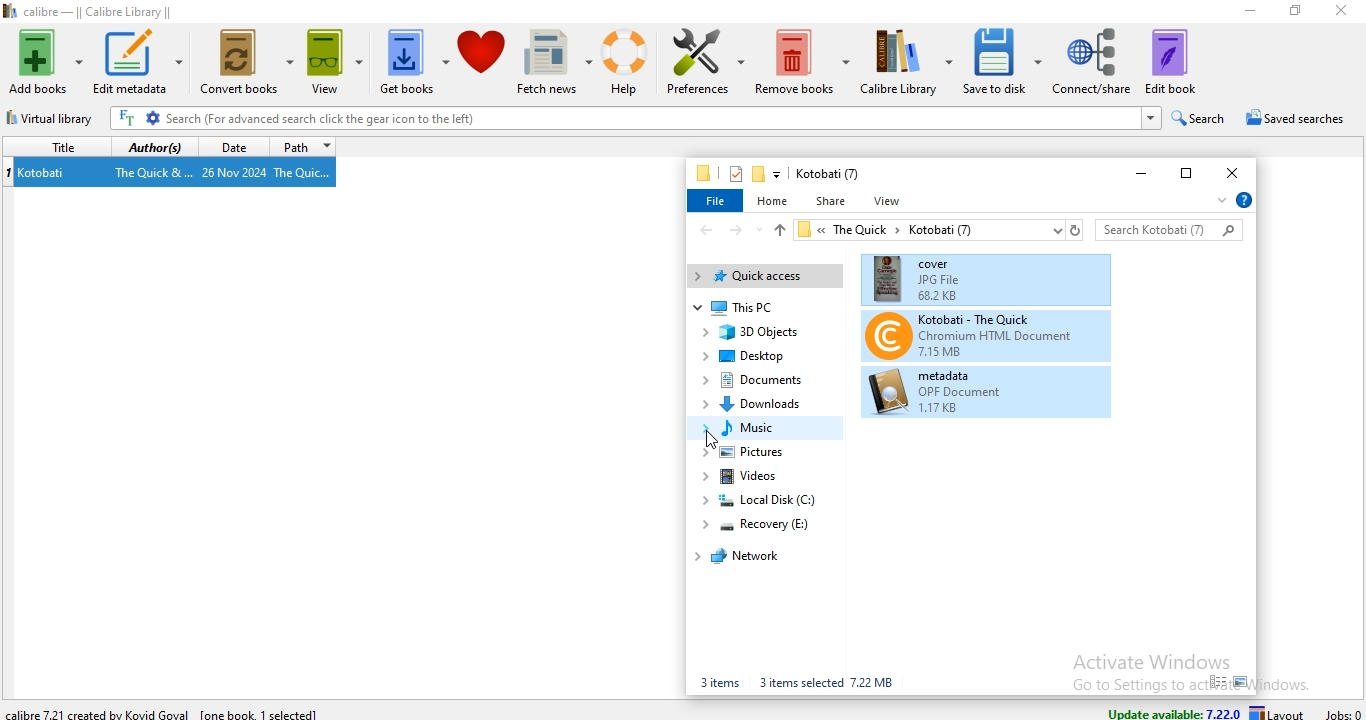 Image resolution: width=1366 pixels, height=720 pixels. Describe the element at coordinates (1281, 712) in the screenshot. I see `layout` at that location.